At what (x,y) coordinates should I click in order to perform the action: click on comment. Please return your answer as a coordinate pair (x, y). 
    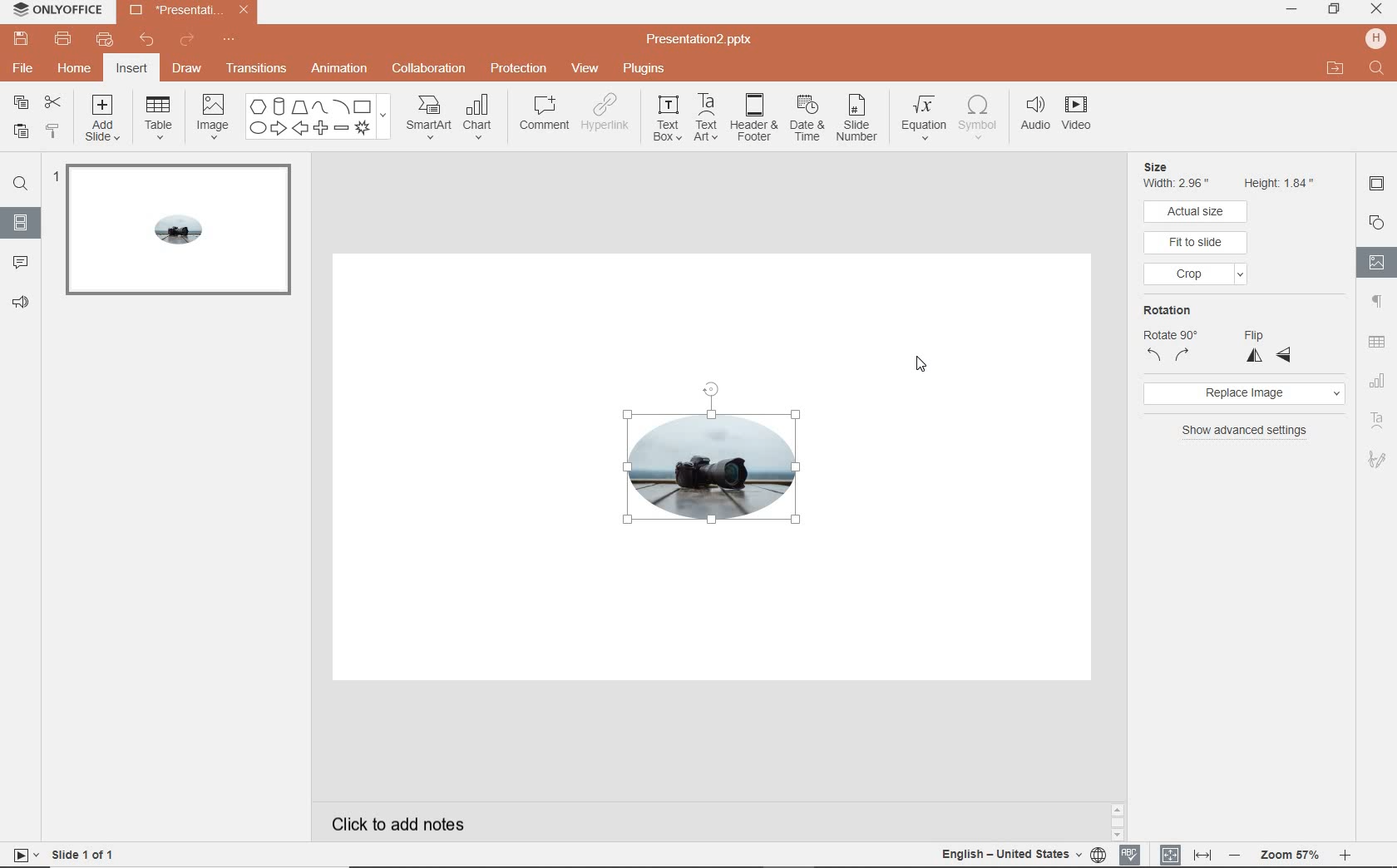
    Looking at the image, I should click on (21, 264).